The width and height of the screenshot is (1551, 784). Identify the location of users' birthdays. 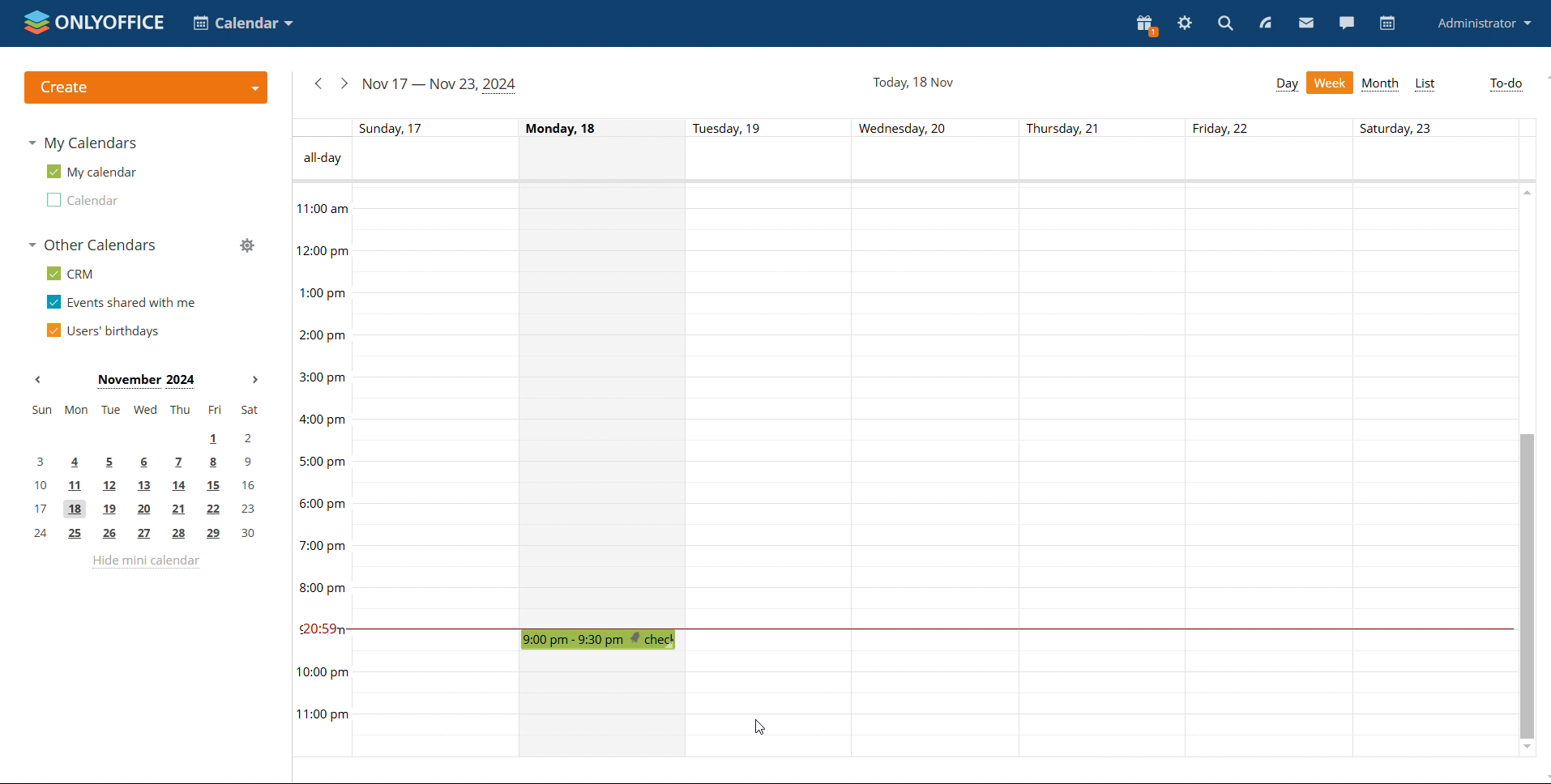
(104, 330).